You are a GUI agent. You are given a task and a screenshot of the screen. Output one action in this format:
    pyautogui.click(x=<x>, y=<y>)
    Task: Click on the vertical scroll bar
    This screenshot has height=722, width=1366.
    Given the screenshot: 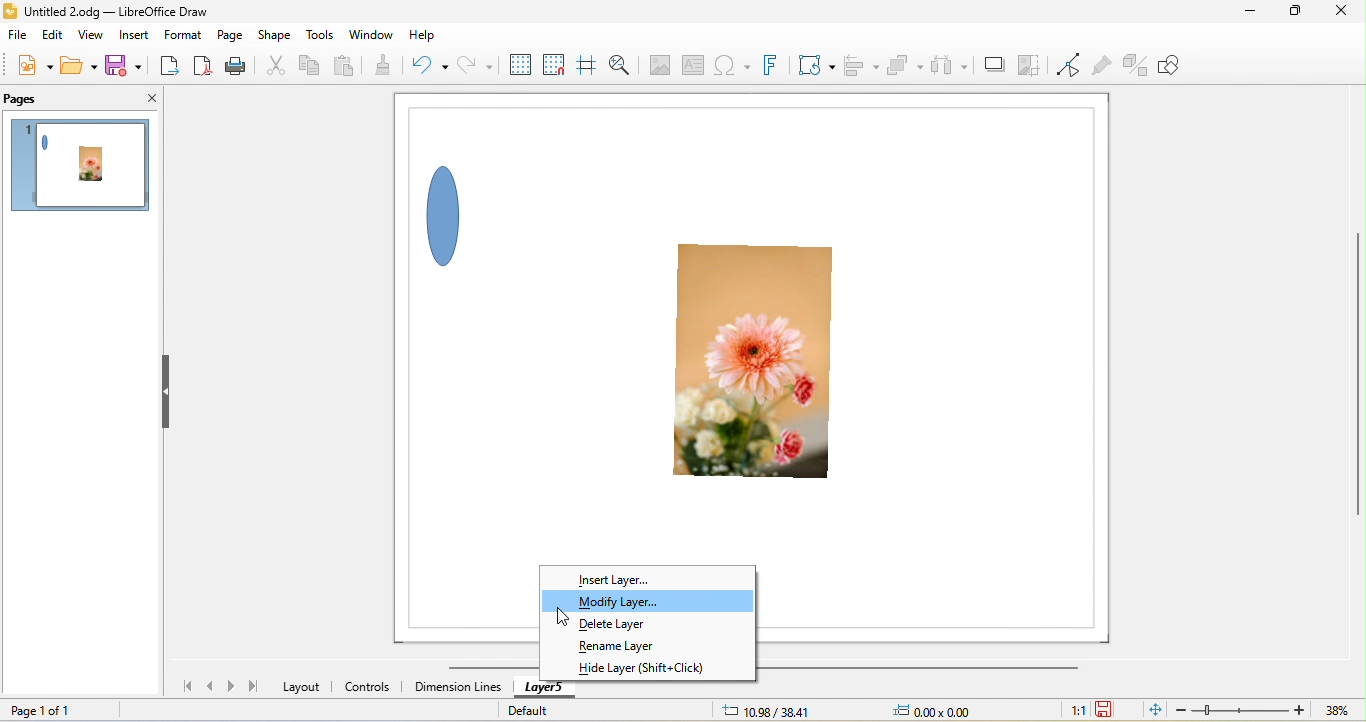 What is the action you would take?
    pyautogui.click(x=1354, y=377)
    